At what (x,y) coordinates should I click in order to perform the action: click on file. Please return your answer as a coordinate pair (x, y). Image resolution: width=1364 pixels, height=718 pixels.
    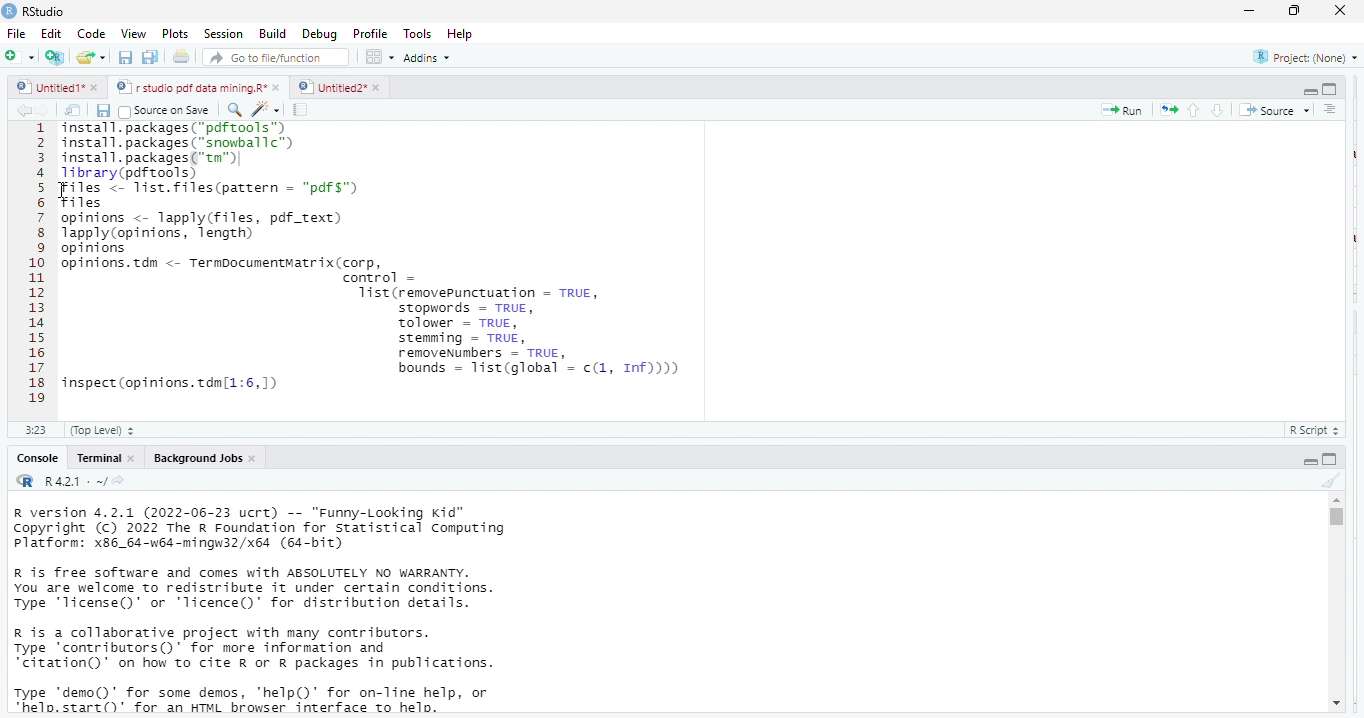
    Looking at the image, I should click on (18, 33).